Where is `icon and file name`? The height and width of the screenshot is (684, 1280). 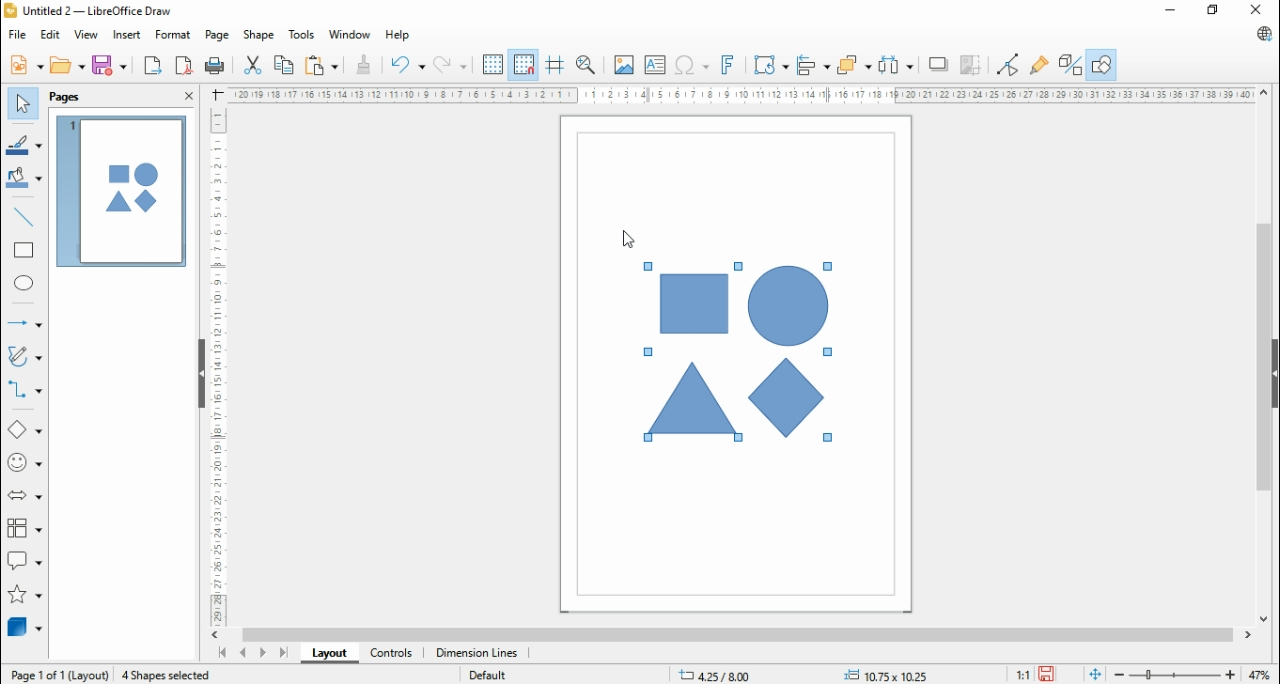
icon and file name is located at coordinates (90, 10).